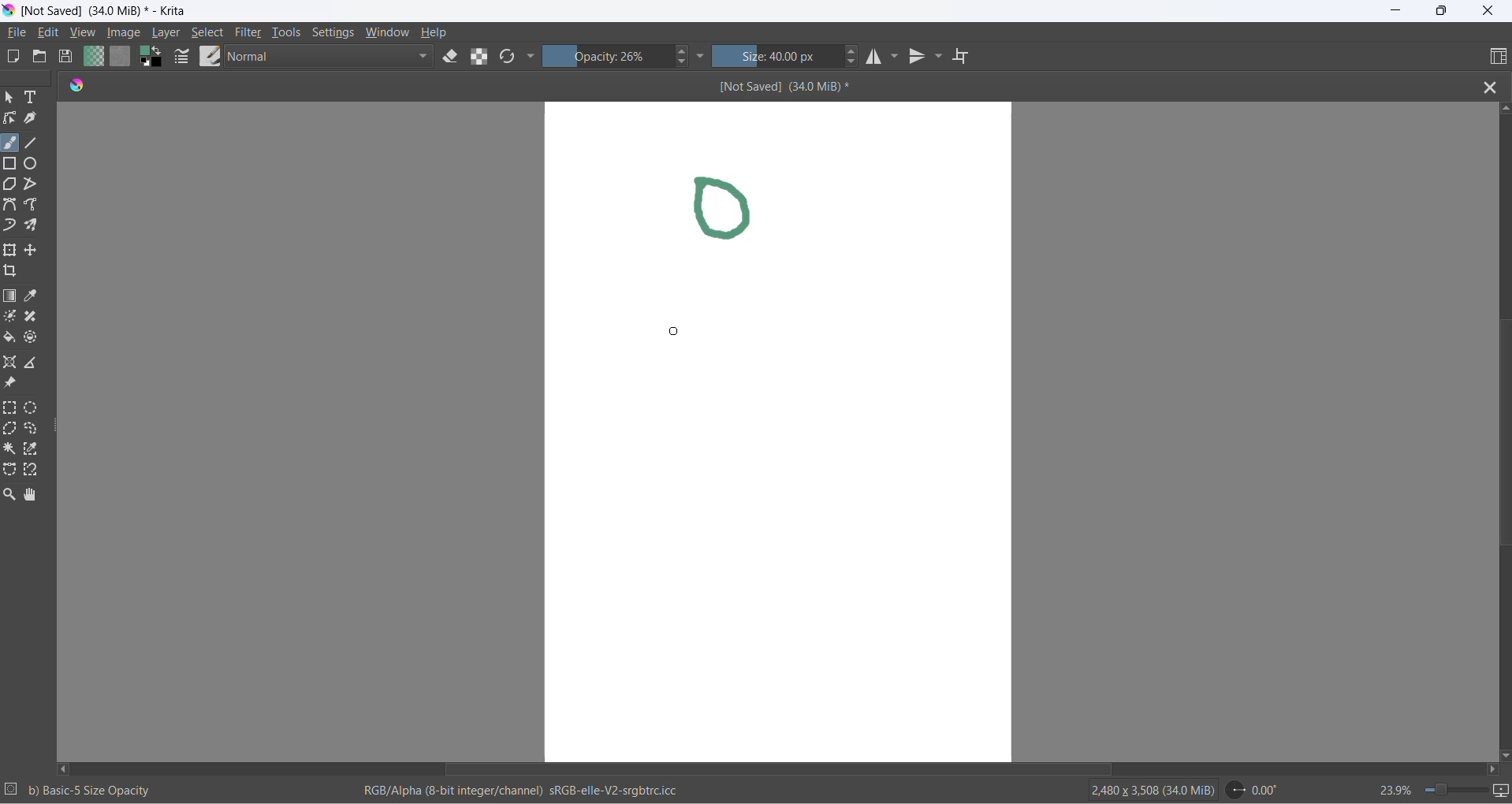 This screenshot has width=1512, height=804. What do you see at coordinates (701, 55) in the screenshot?
I see `more settings dropdown button` at bounding box center [701, 55].